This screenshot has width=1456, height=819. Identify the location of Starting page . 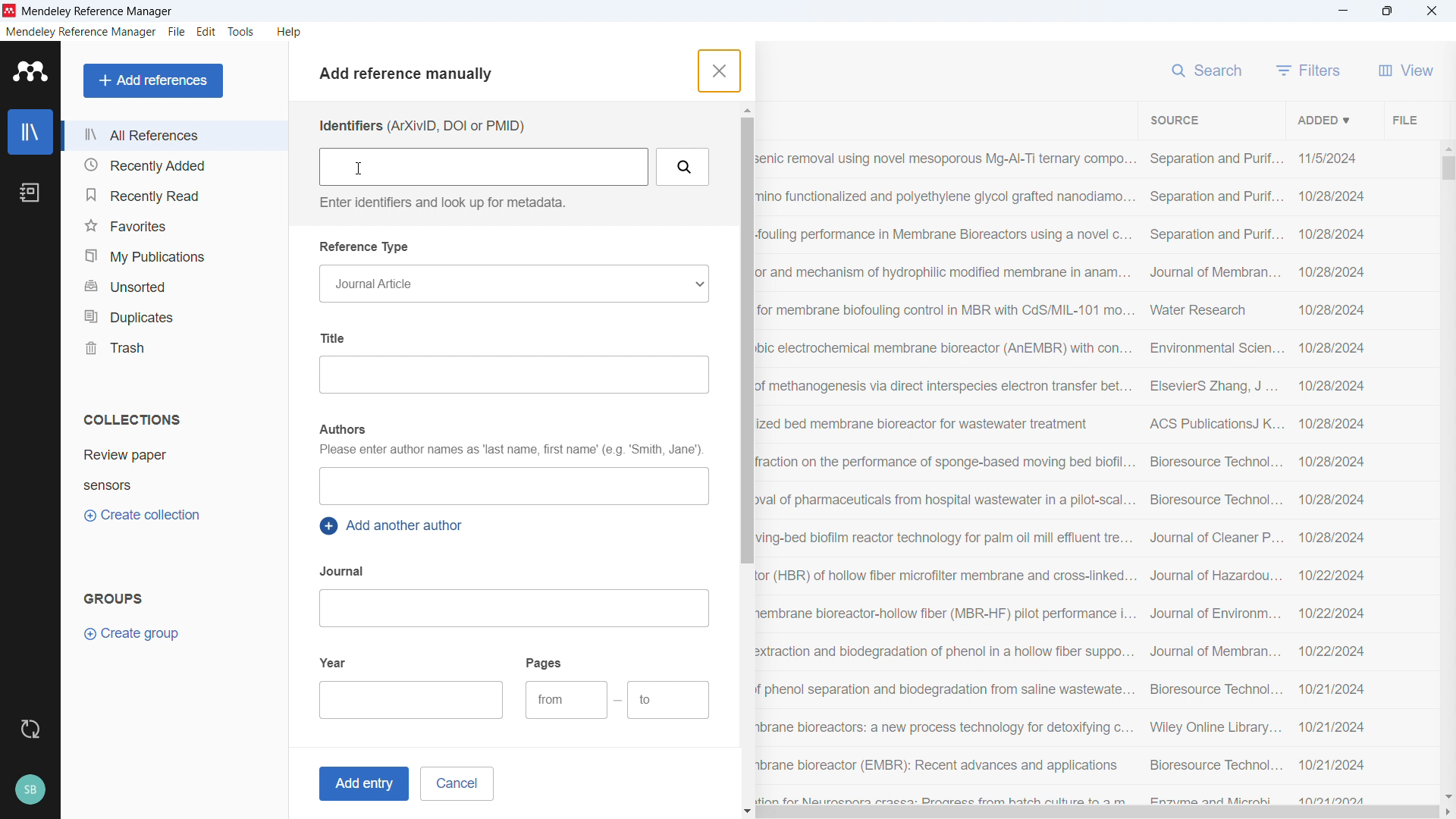
(566, 700).